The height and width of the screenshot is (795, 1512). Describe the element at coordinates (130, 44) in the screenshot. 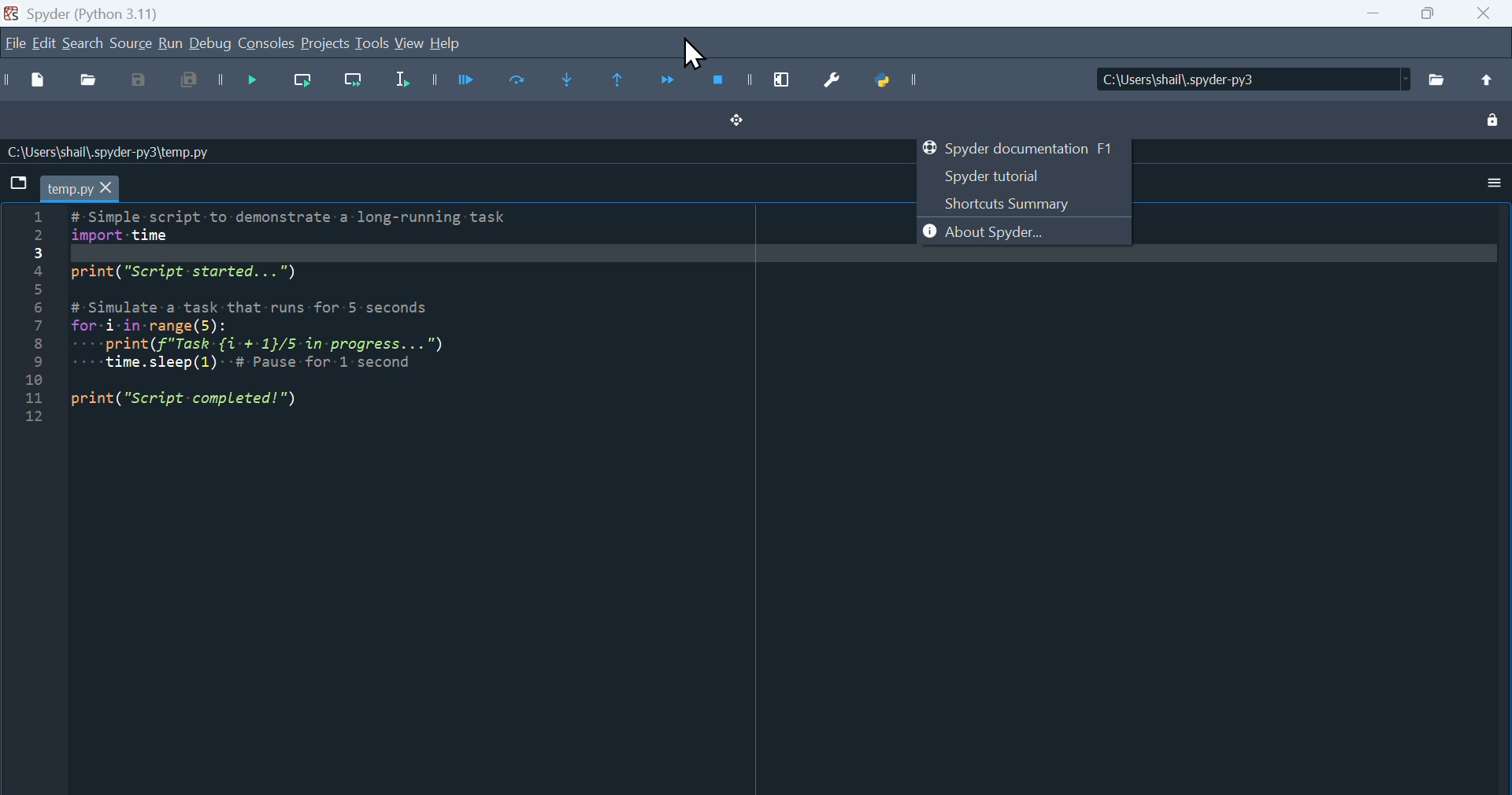

I see `Source` at that location.